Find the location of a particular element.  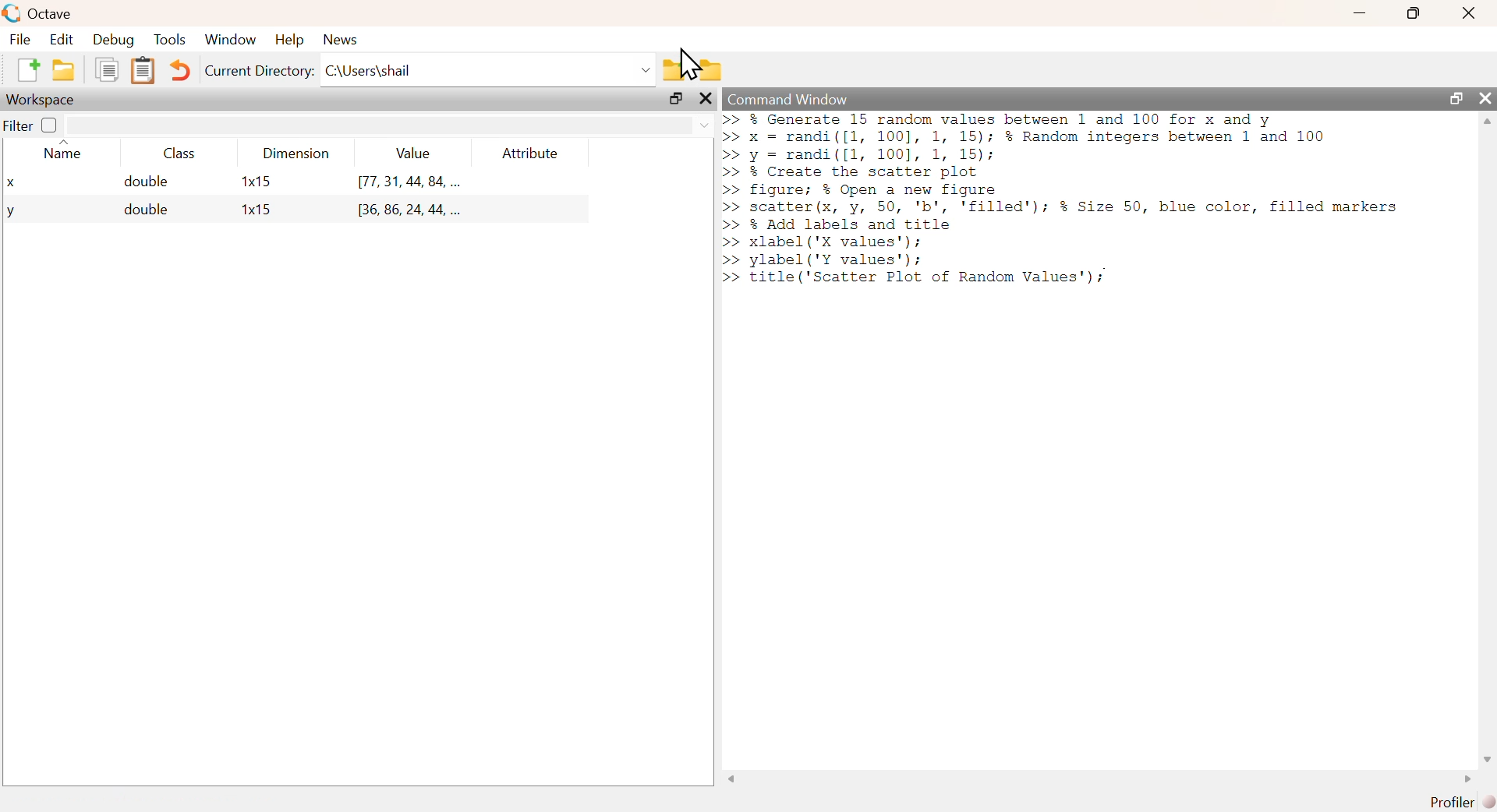

double is located at coordinates (147, 181).